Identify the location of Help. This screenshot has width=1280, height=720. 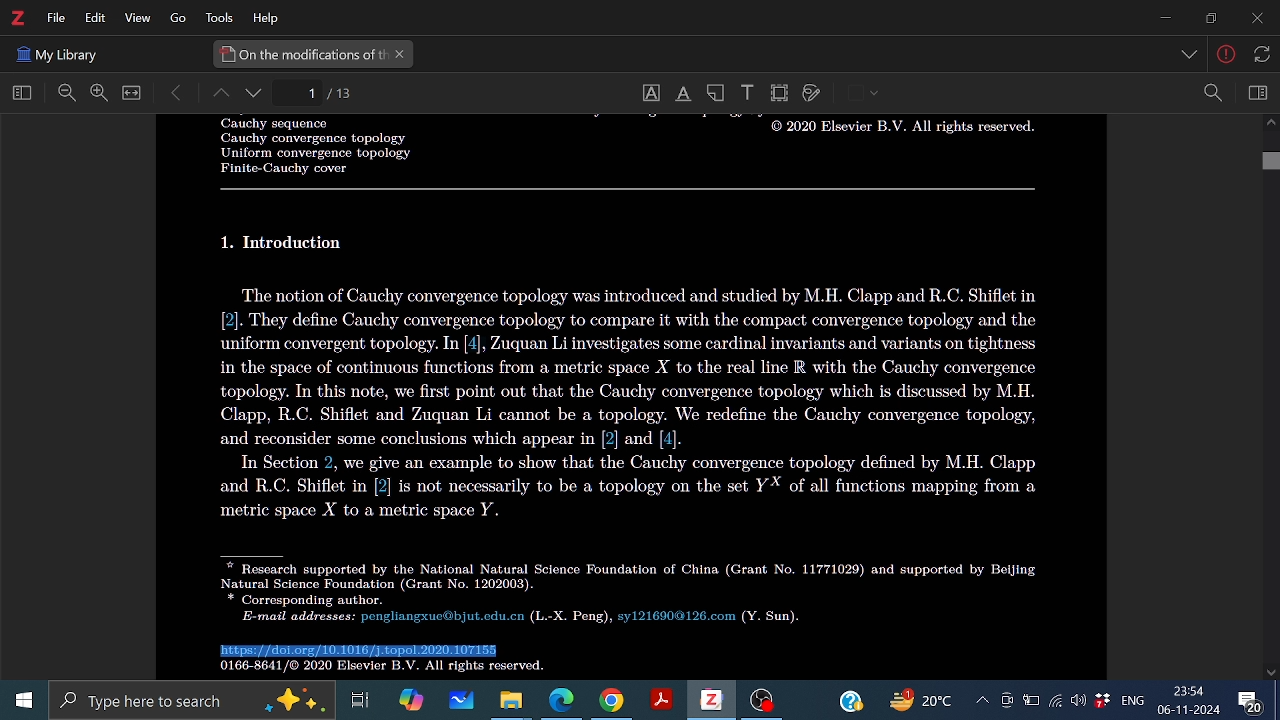
(850, 699).